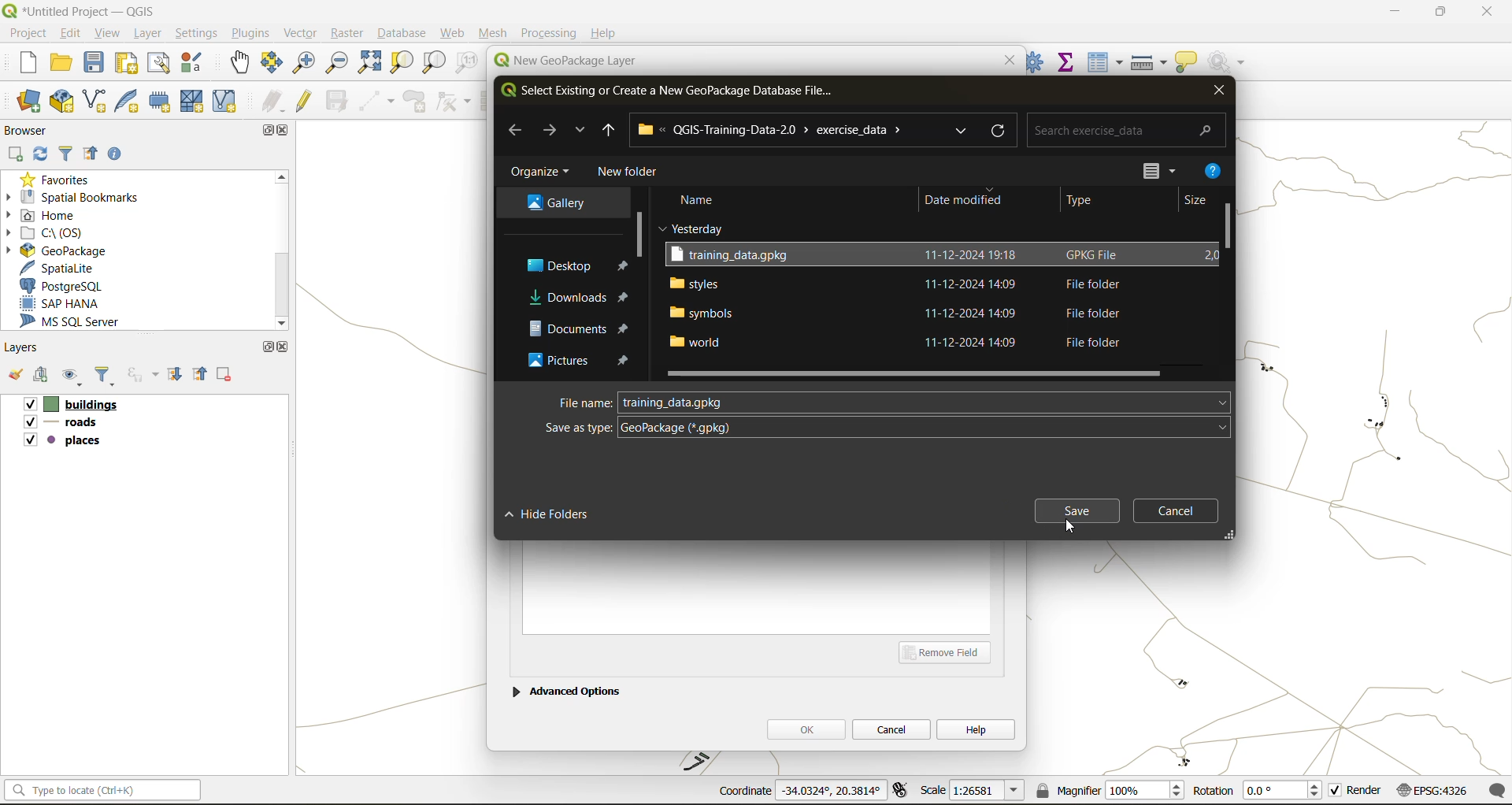 The image size is (1512, 805). What do you see at coordinates (83, 197) in the screenshot?
I see `spatial bookmarks` at bounding box center [83, 197].